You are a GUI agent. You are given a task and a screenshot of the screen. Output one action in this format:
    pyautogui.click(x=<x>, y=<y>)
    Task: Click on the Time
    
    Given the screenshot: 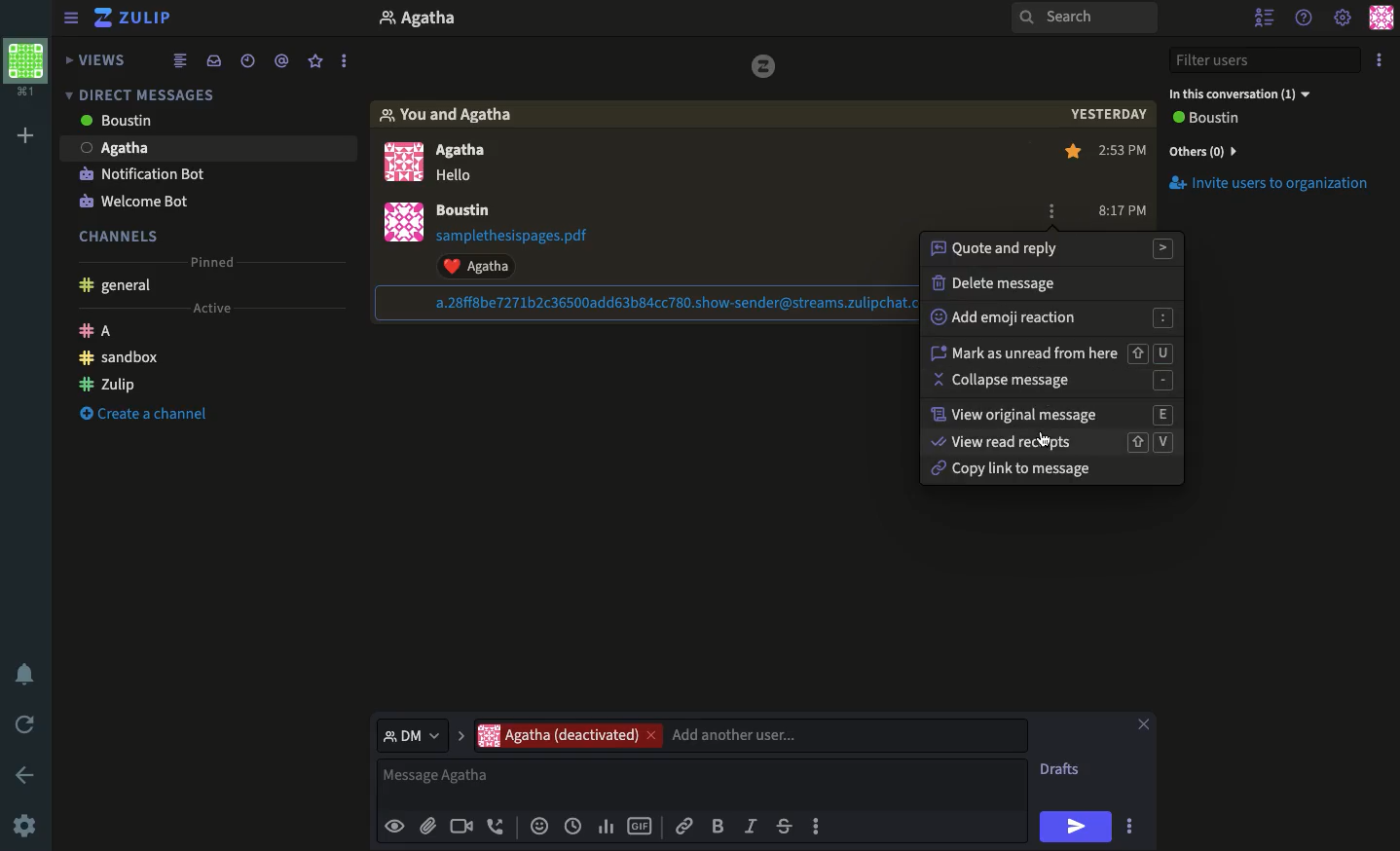 What is the action you would take?
    pyautogui.click(x=247, y=58)
    